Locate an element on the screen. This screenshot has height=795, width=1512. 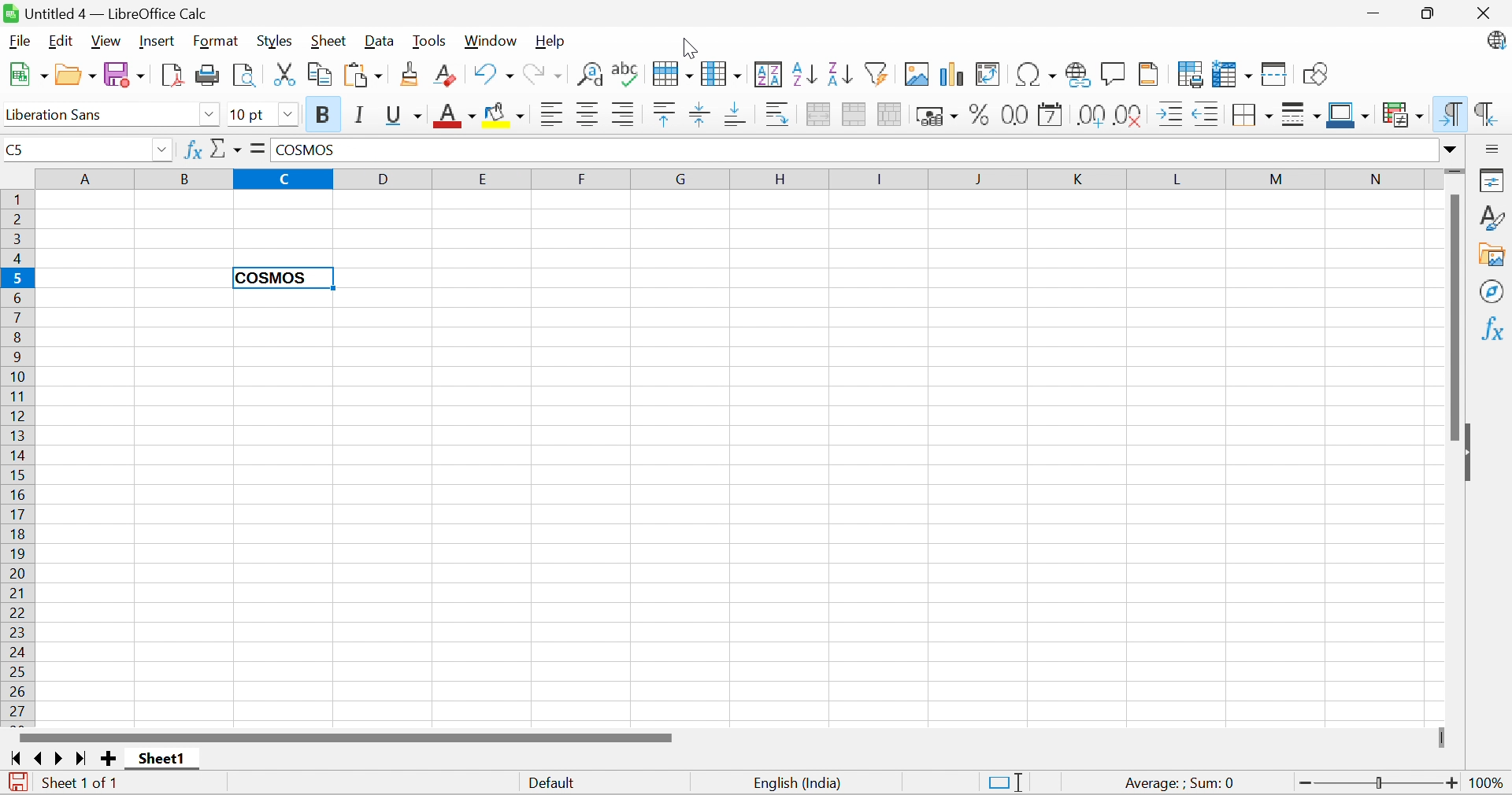
Scroll Bar is located at coordinates (343, 738).